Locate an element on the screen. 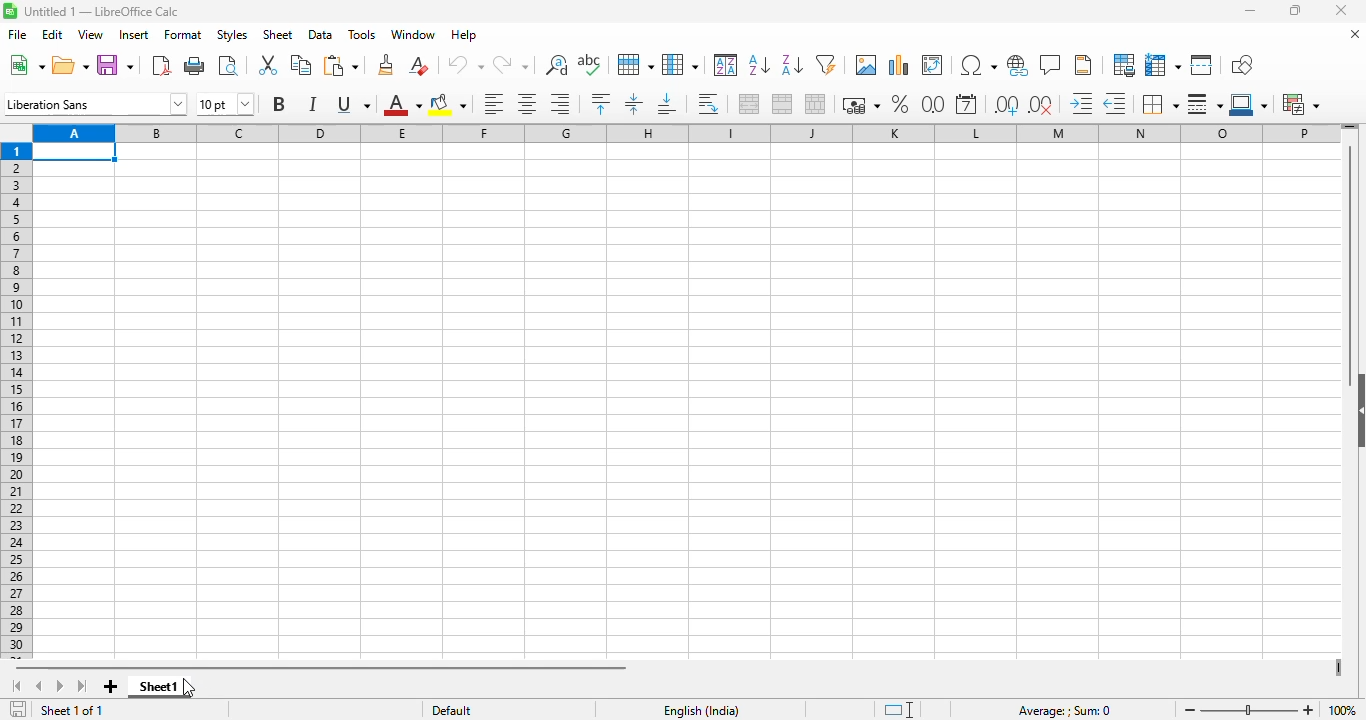 This screenshot has height=720, width=1366. scroll to previous sheet is located at coordinates (39, 687).